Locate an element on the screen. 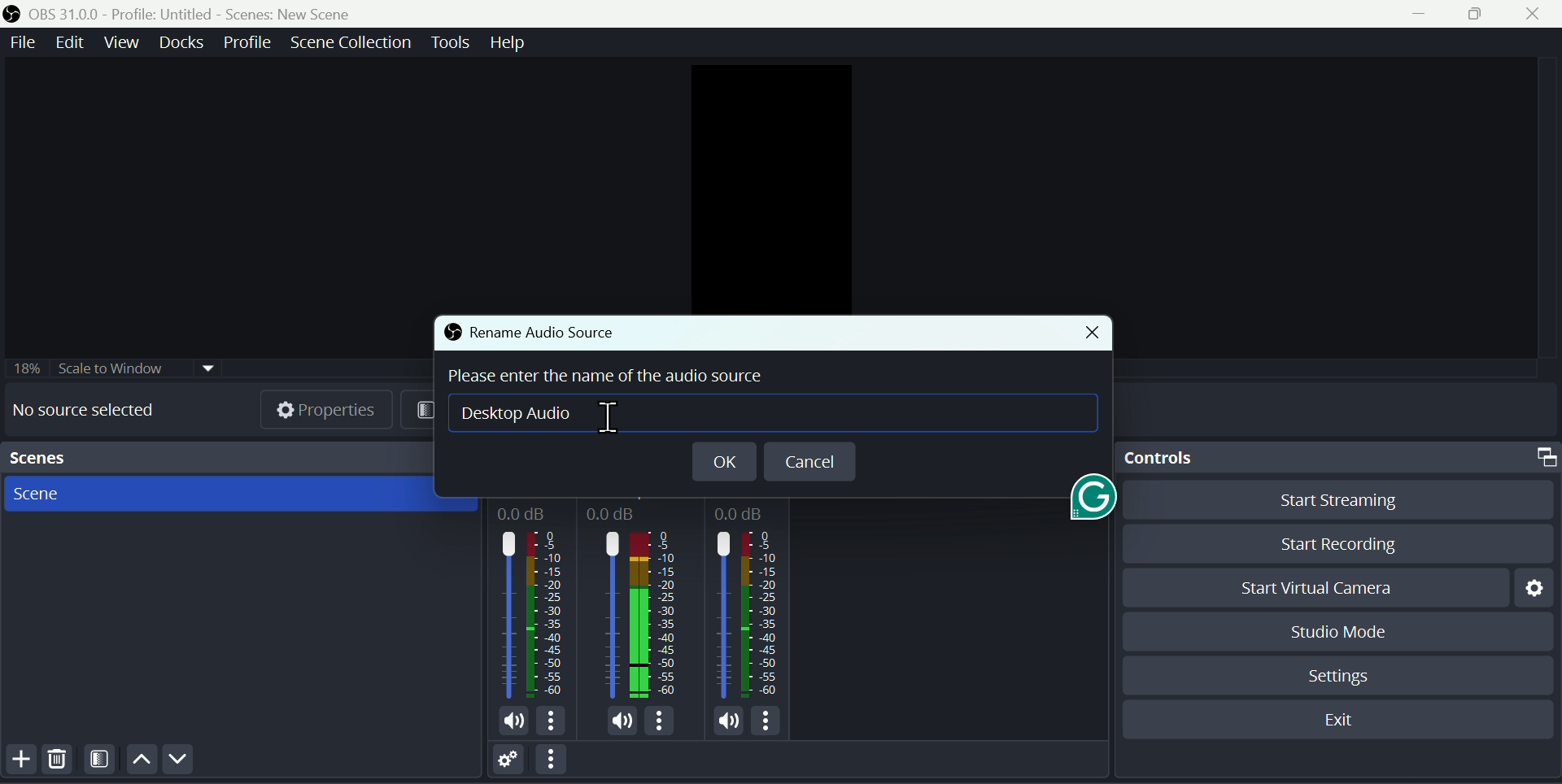 This screenshot has height=784, width=1562. Edit is located at coordinates (73, 42).